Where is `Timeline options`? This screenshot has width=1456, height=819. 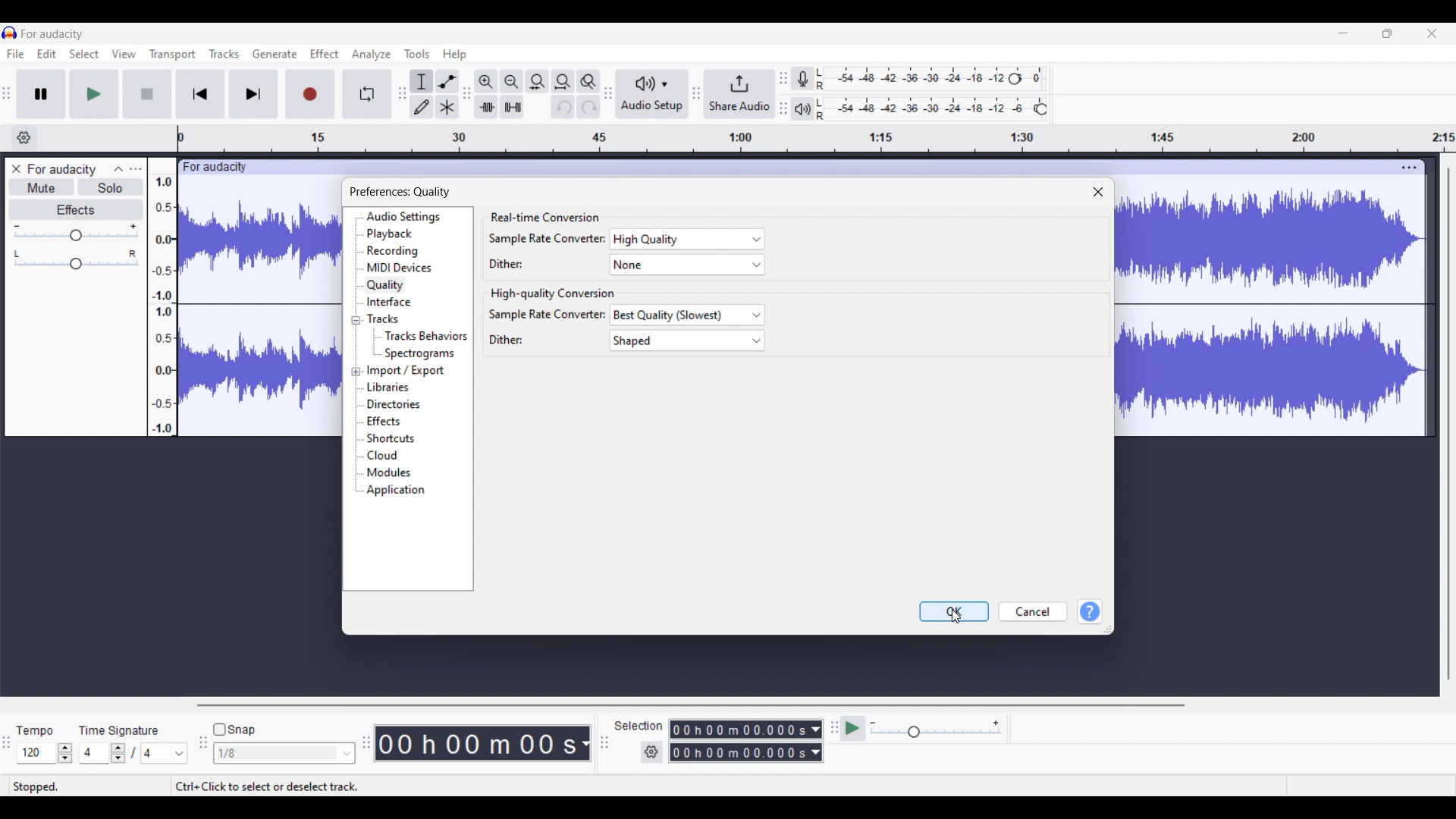
Timeline options is located at coordinates (24, 138).